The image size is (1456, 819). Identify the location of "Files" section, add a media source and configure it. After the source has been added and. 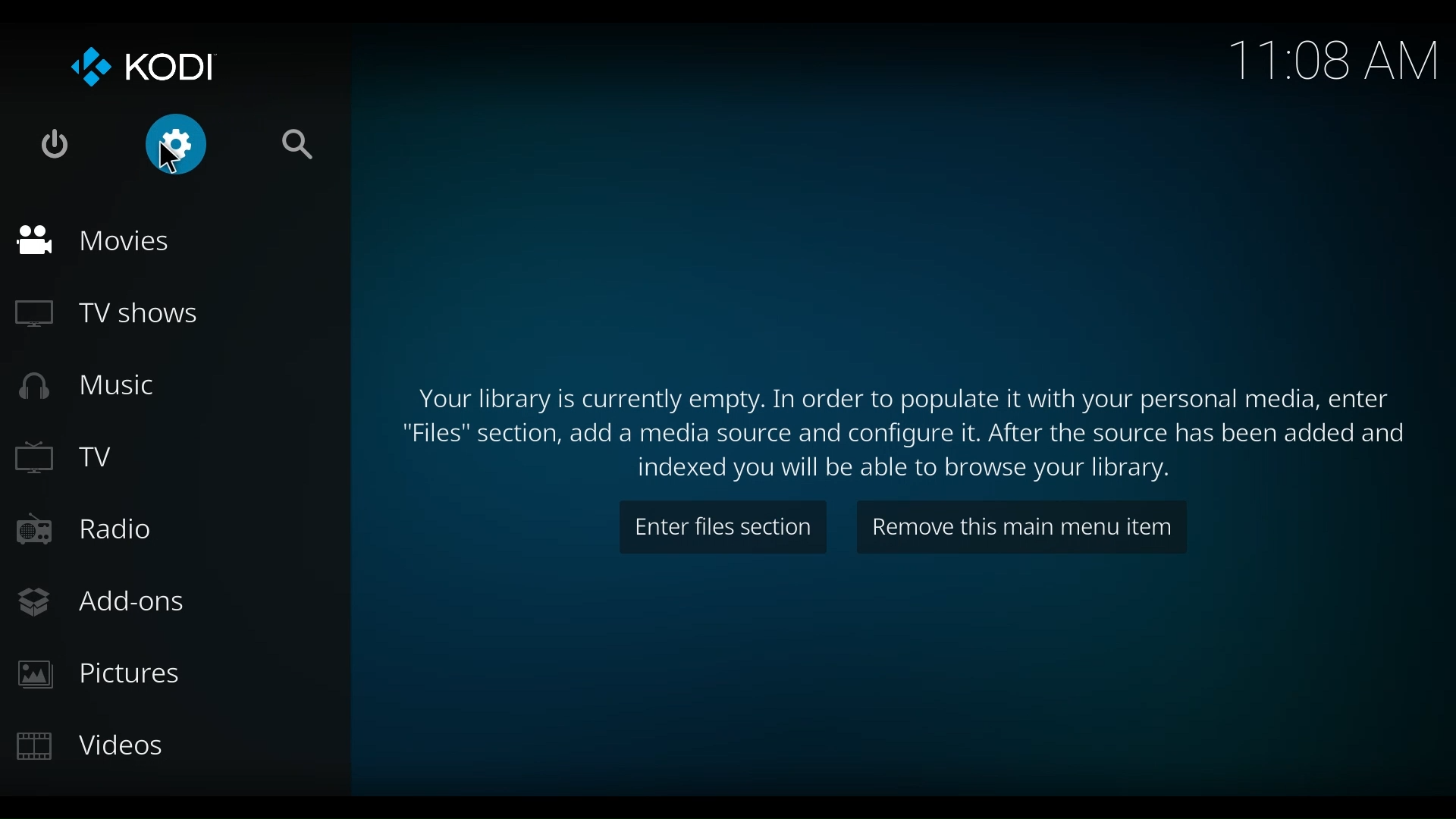
(909, 434).